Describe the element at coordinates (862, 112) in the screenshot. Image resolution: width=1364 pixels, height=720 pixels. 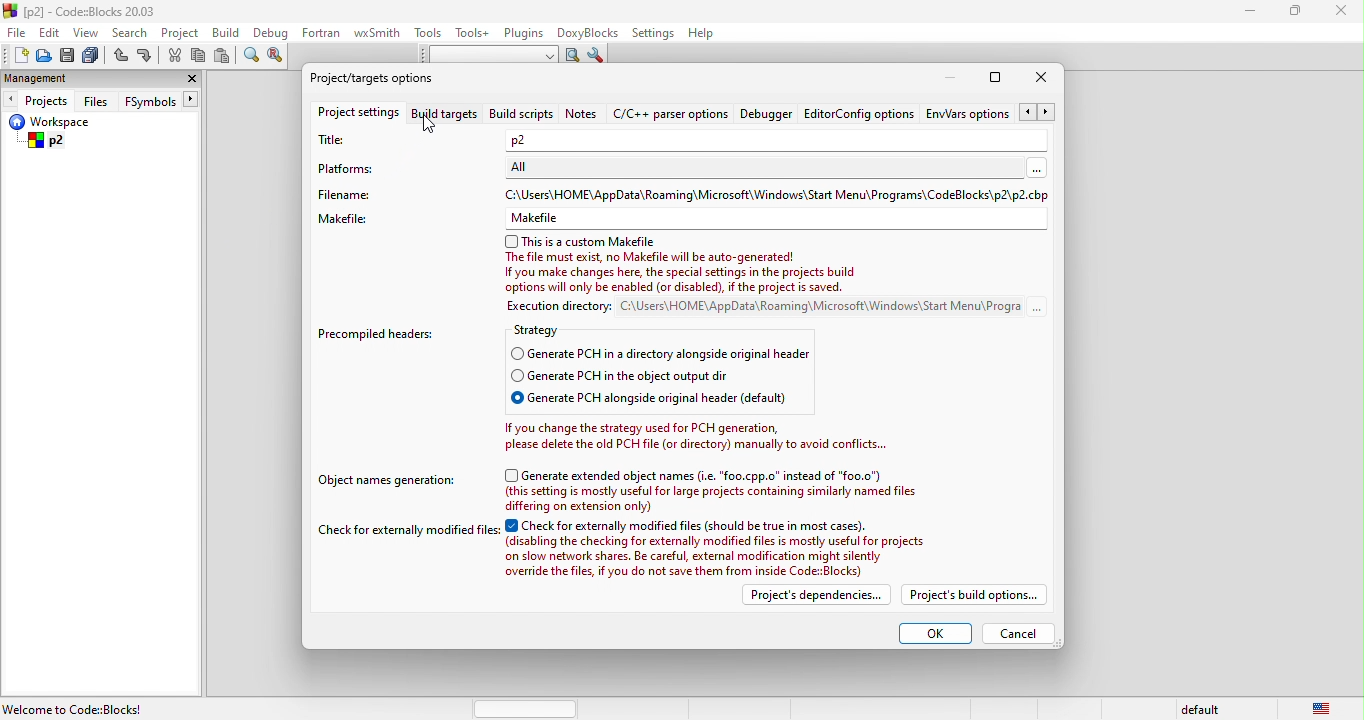
I see `editor config option` at that location.